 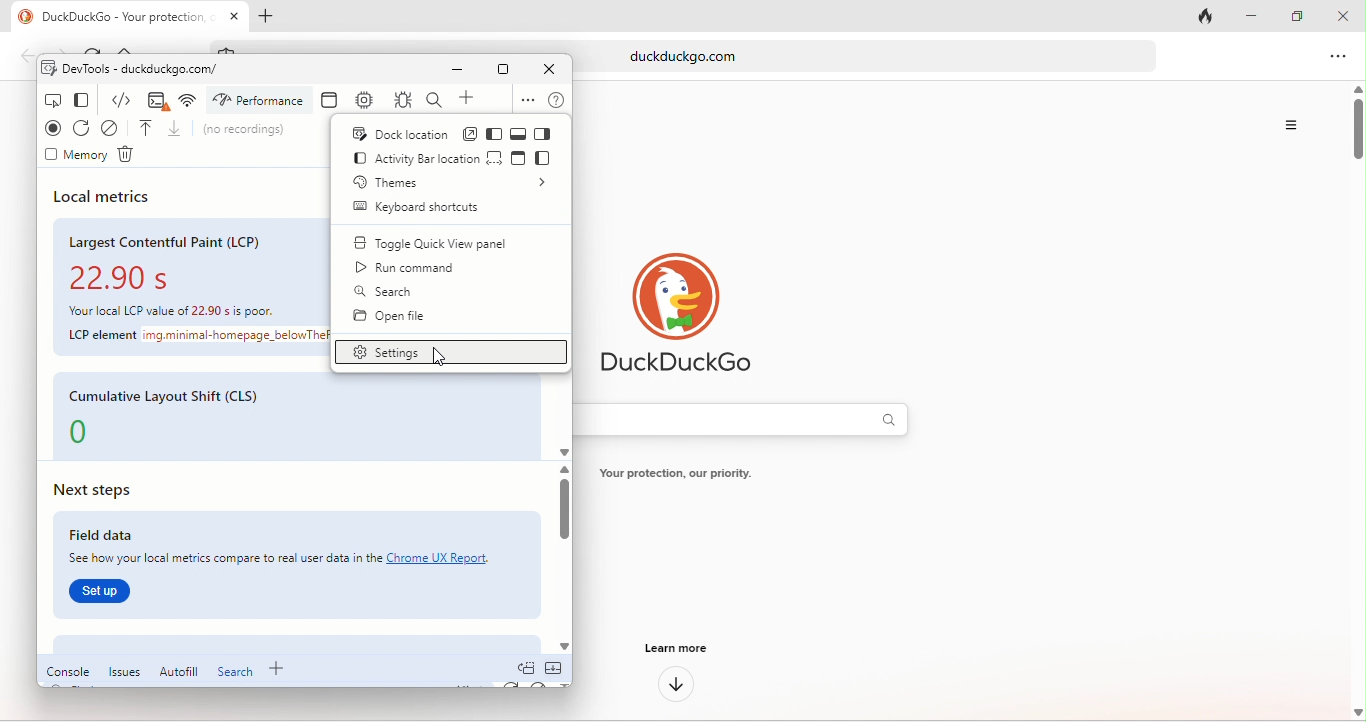 I want to click on toggle quick view panel, so click(x=434, y=244).